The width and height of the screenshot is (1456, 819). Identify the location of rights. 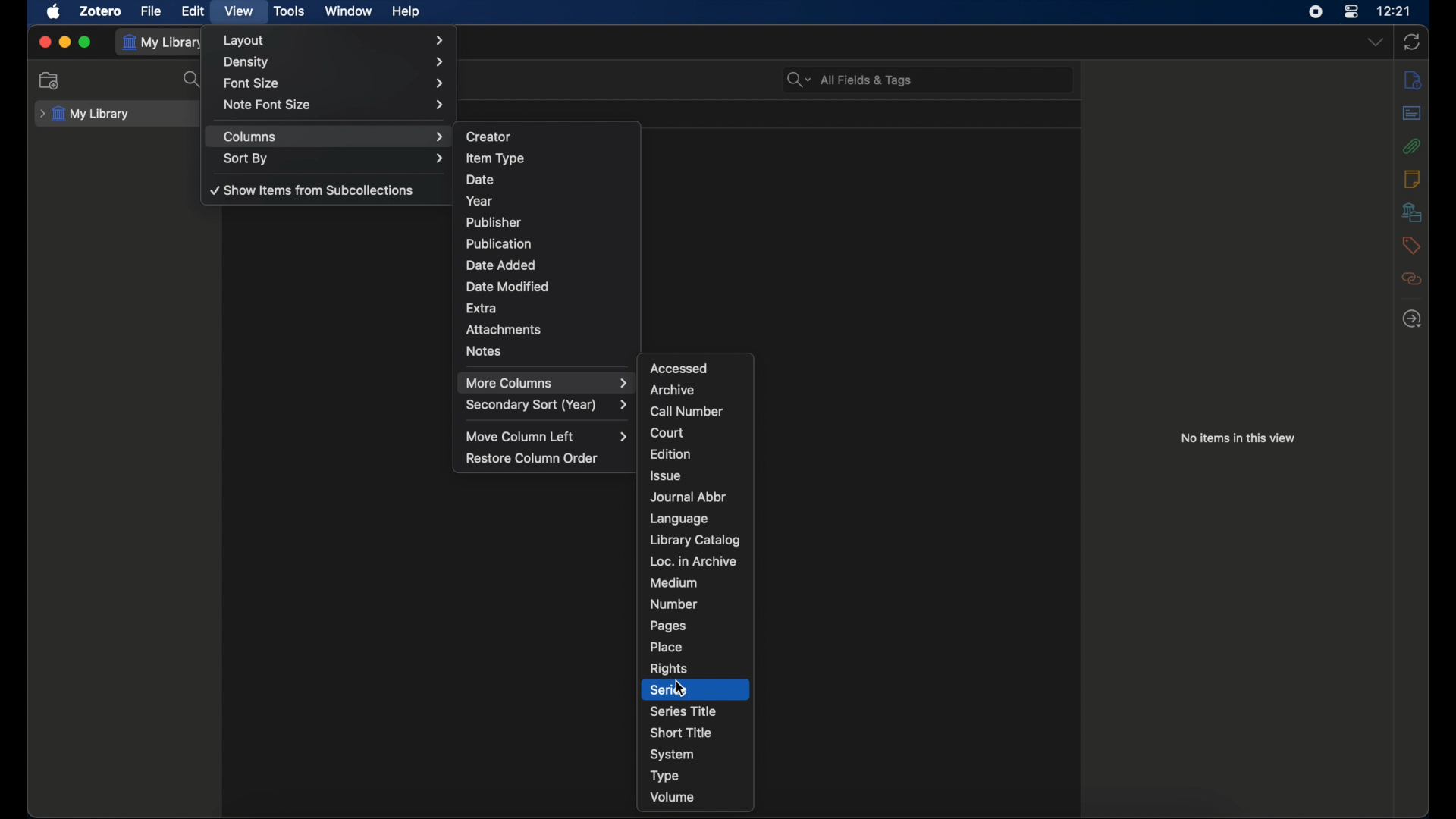
(668, 669).